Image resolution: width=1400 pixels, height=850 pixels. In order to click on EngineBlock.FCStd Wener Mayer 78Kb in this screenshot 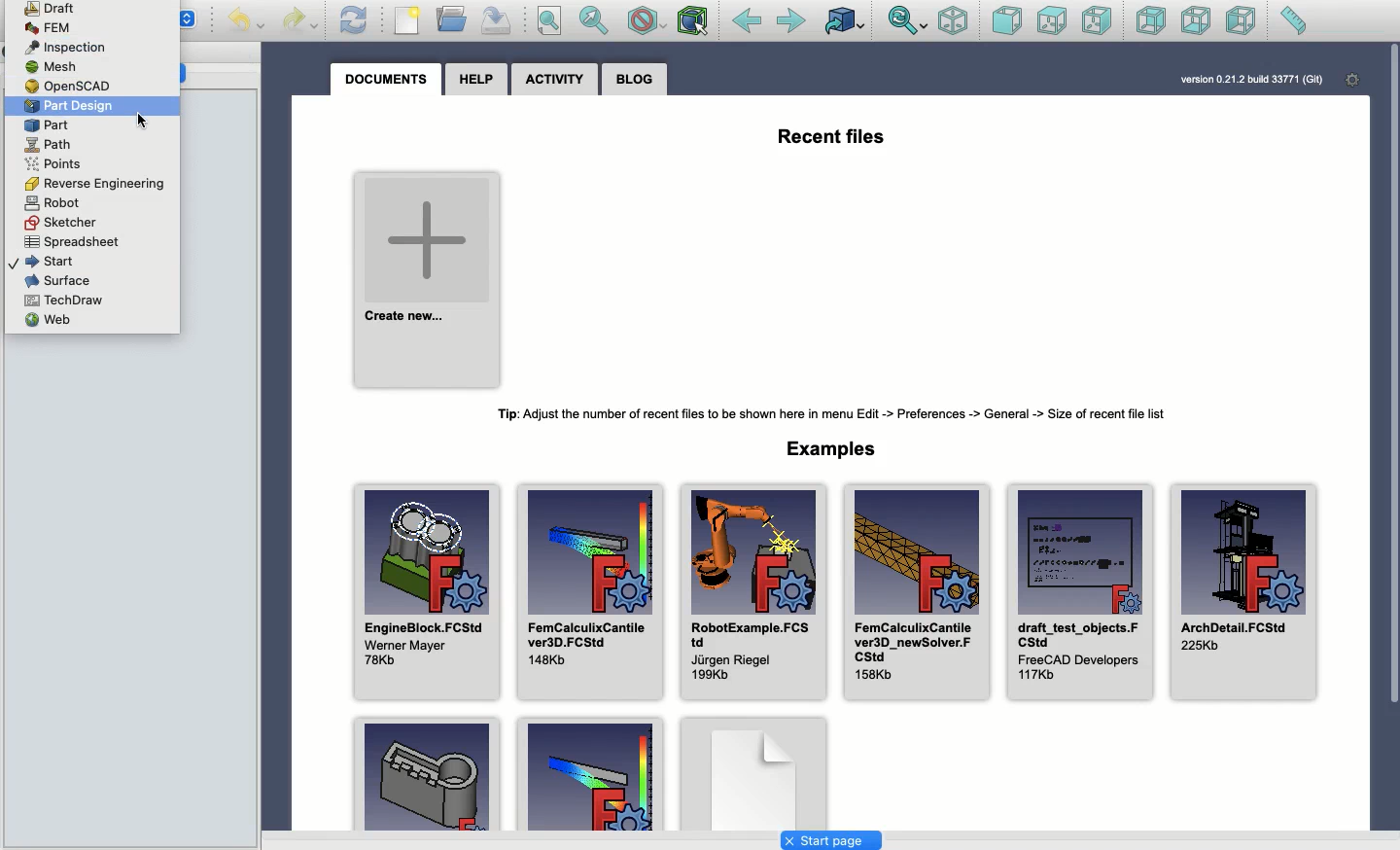, I will do `click(425, 592)`.